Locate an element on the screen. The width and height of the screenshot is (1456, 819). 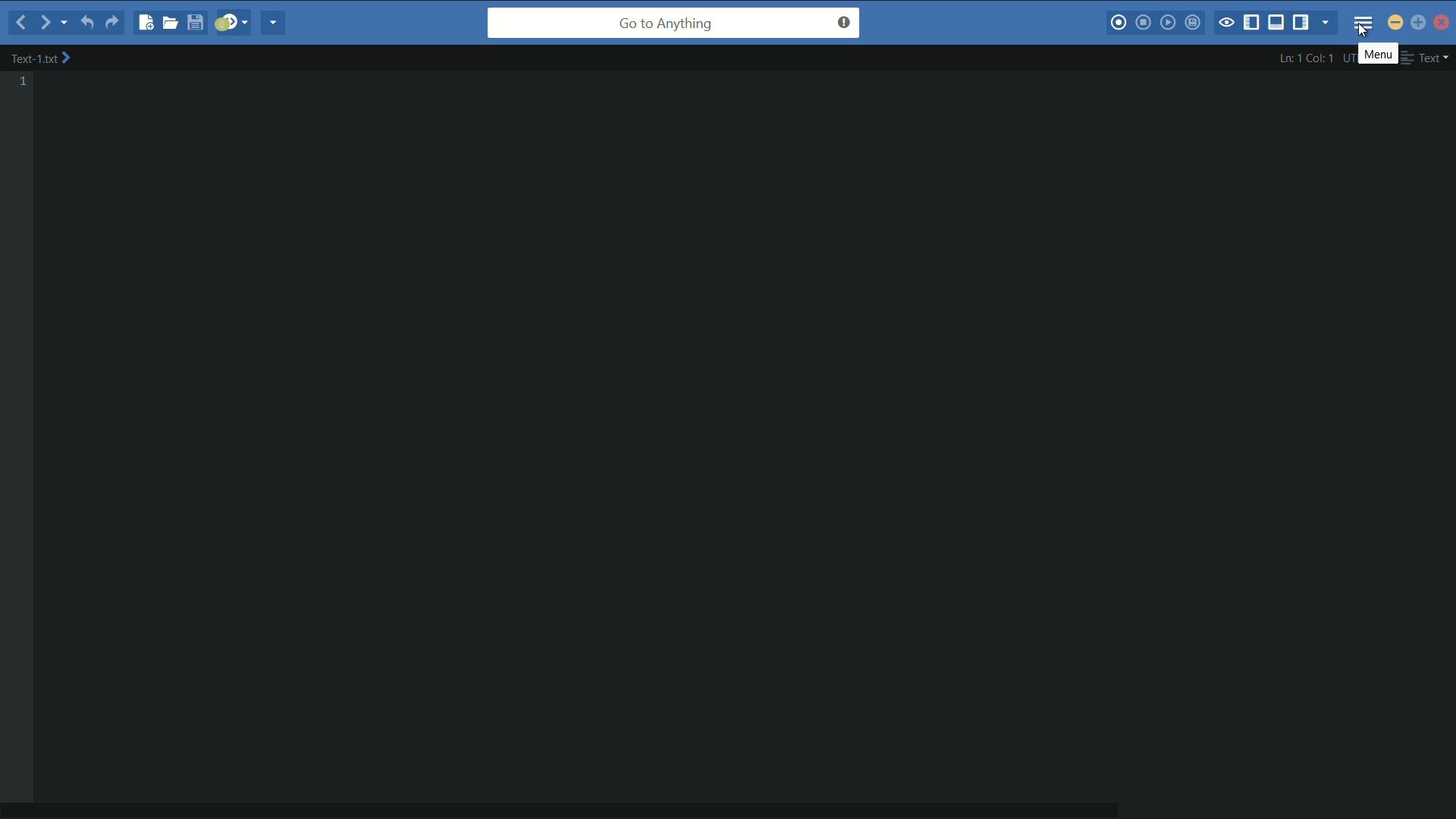
save file is located at coordinates (196, 24).